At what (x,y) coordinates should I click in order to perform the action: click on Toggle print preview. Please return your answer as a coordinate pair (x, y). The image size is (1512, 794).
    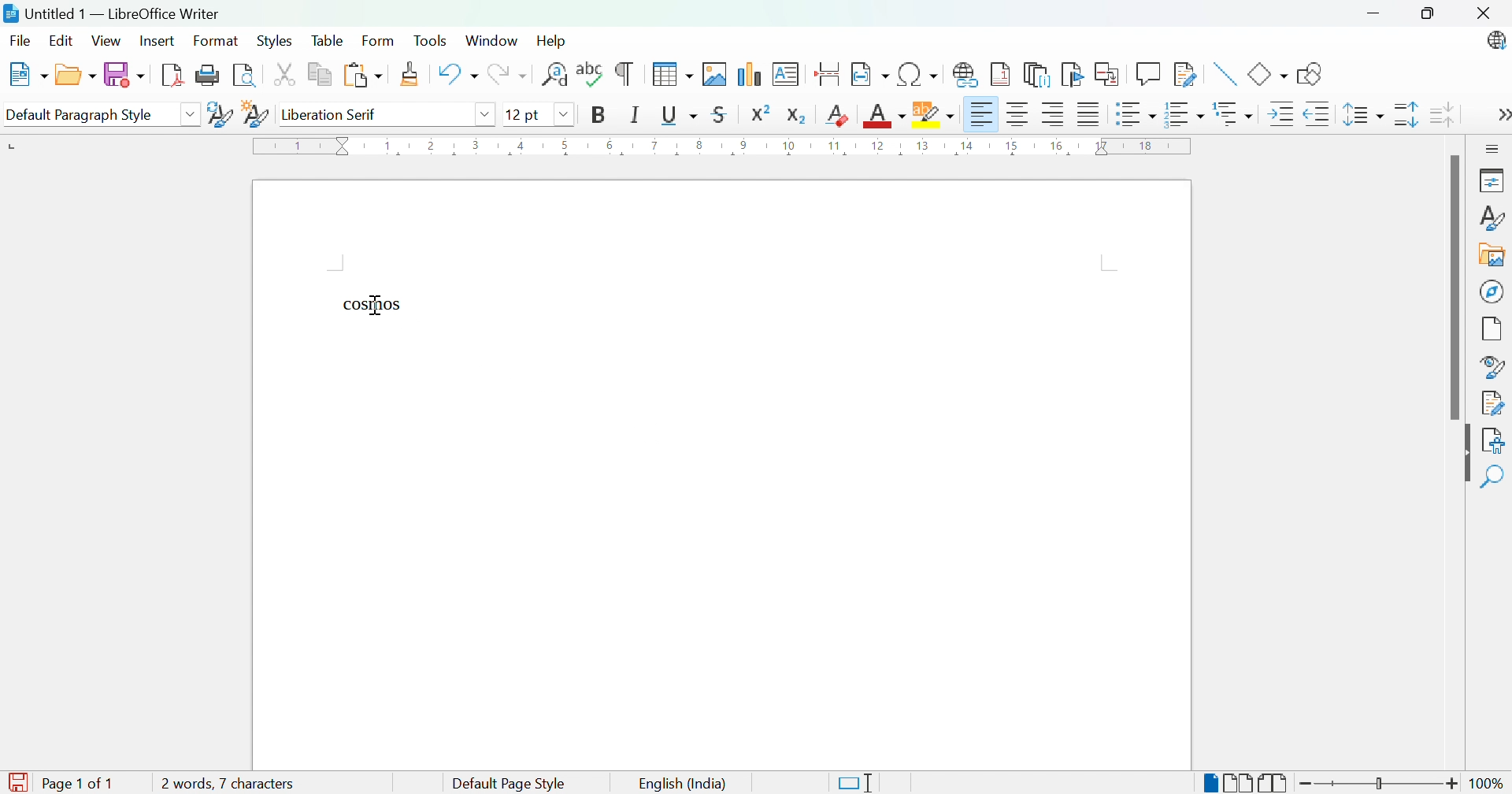
    Looking at the image, I should click on (245, 76).